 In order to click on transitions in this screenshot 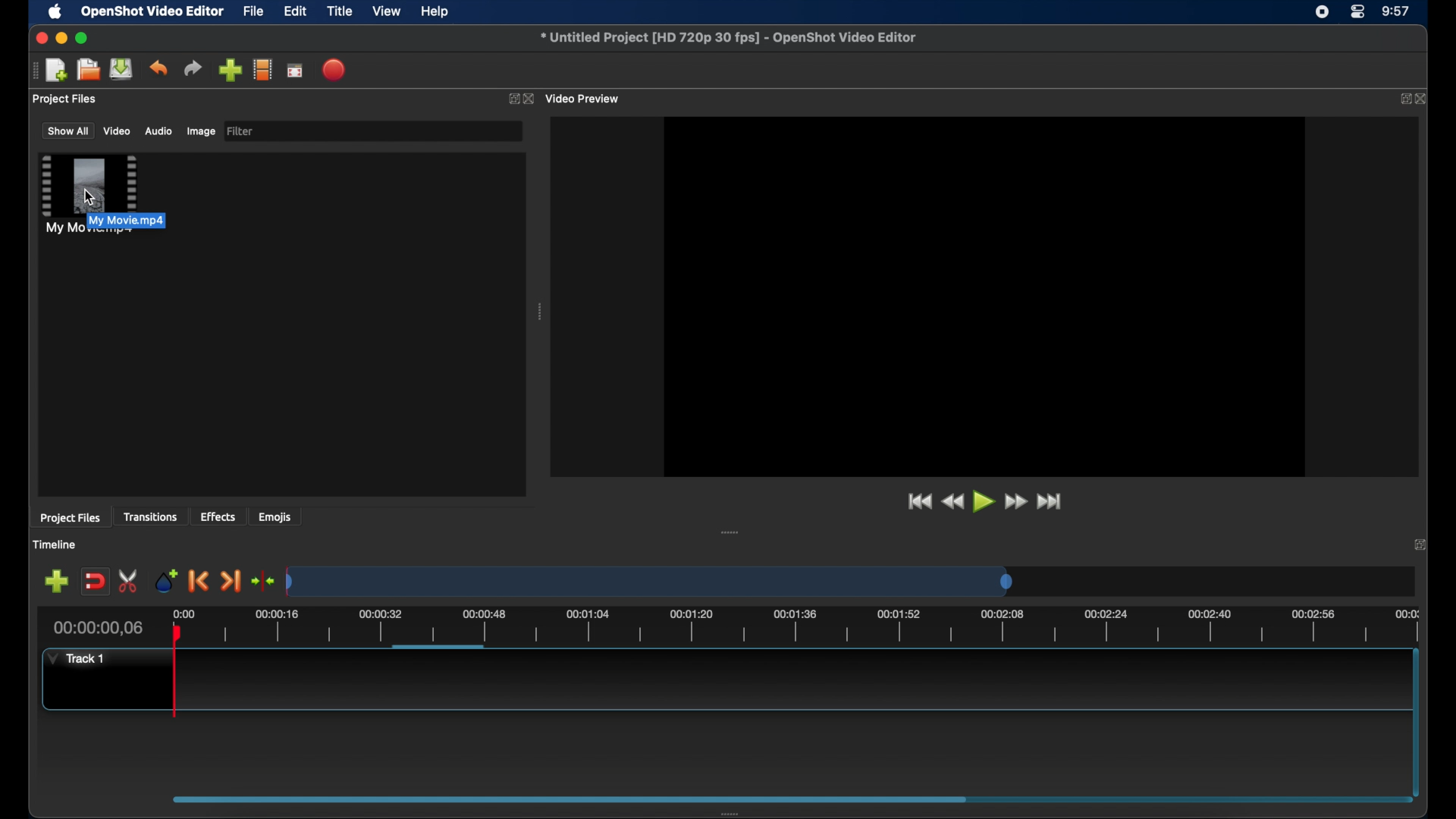, I will do `click(150, 516)`.